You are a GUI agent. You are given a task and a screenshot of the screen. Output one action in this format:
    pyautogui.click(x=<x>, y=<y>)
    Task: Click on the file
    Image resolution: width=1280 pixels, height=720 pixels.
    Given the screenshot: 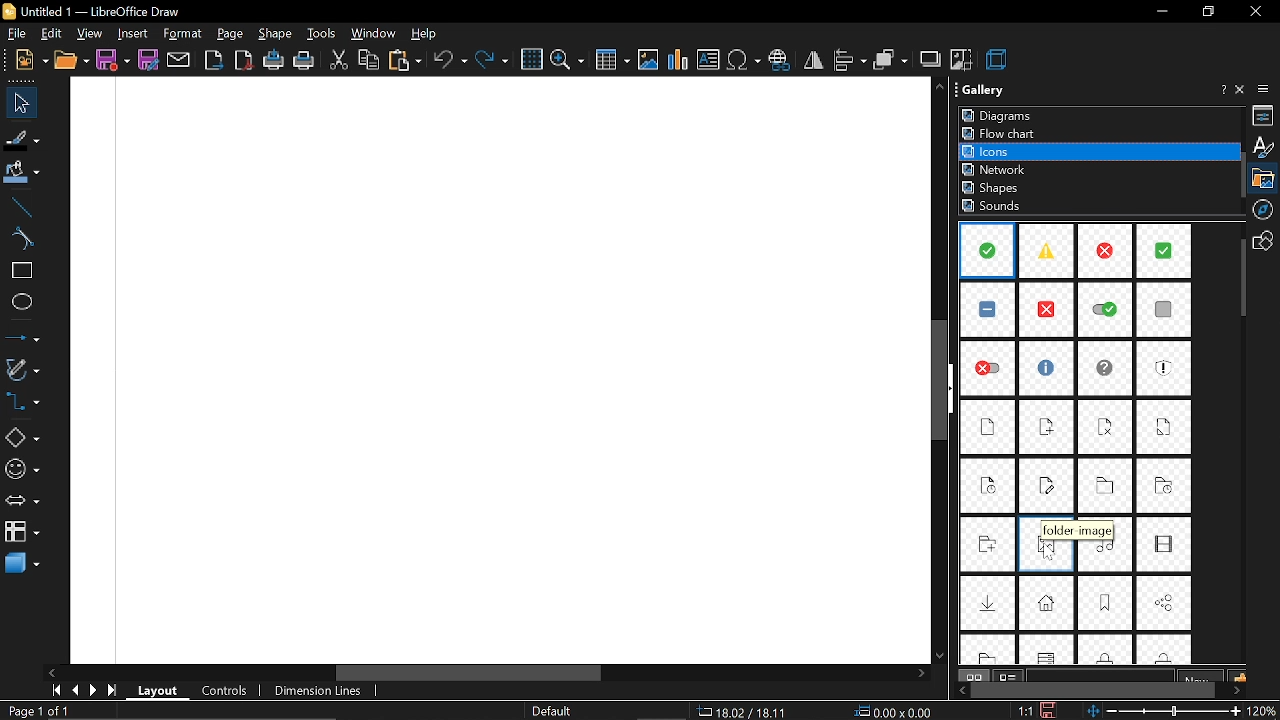 What is the action you would take?
    pyautogui.click(x=16, y=34)
    